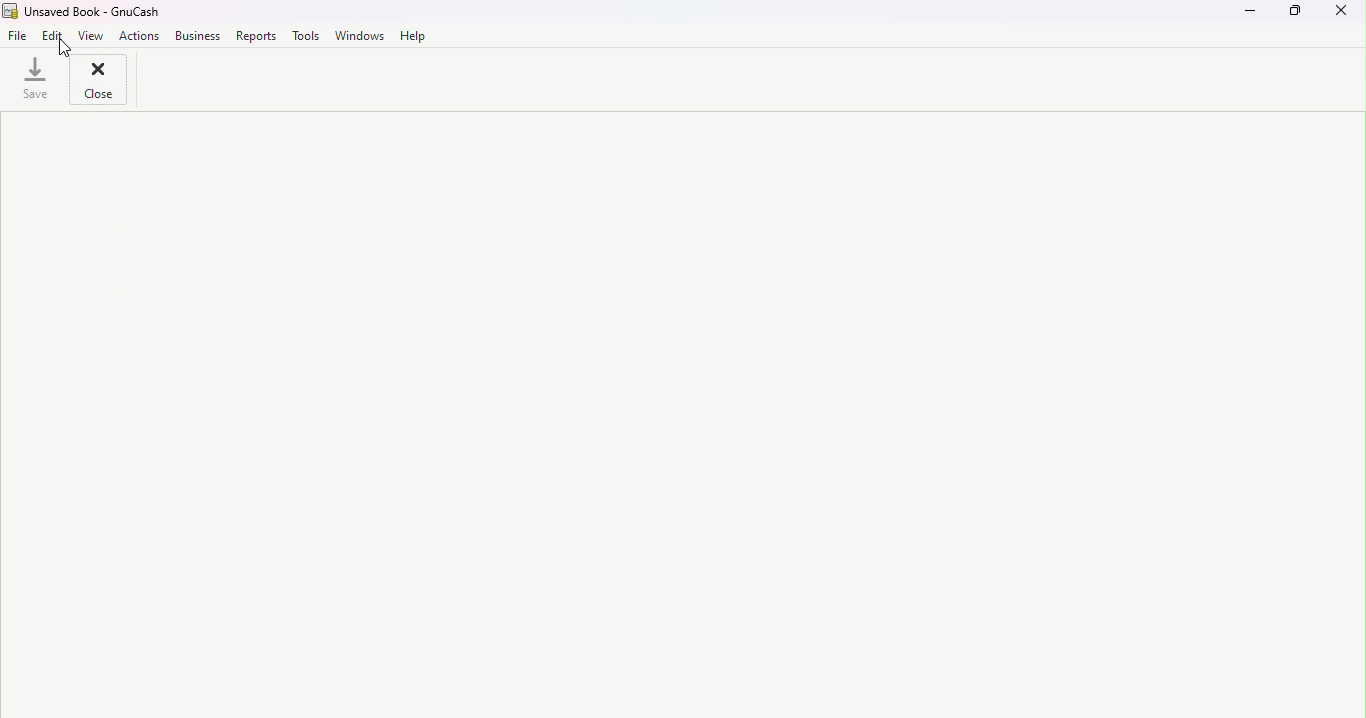 Image resolution: width=1366 pixels, height=718 pixels. Describe the element at coordinates (1248, 17) in the screenshot. I see `Minimize` at that location.